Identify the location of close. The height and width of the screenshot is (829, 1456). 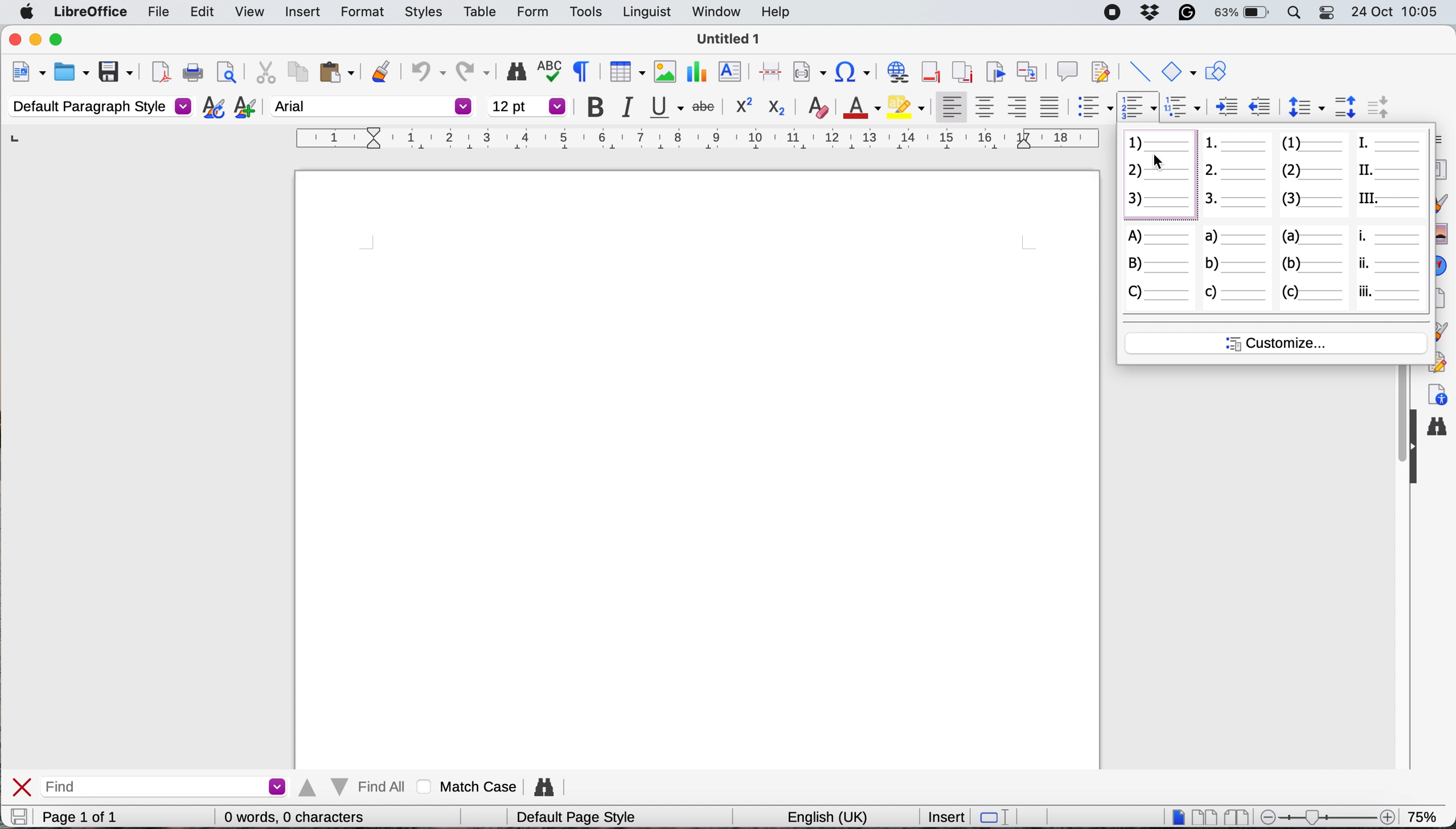
(22, 787).